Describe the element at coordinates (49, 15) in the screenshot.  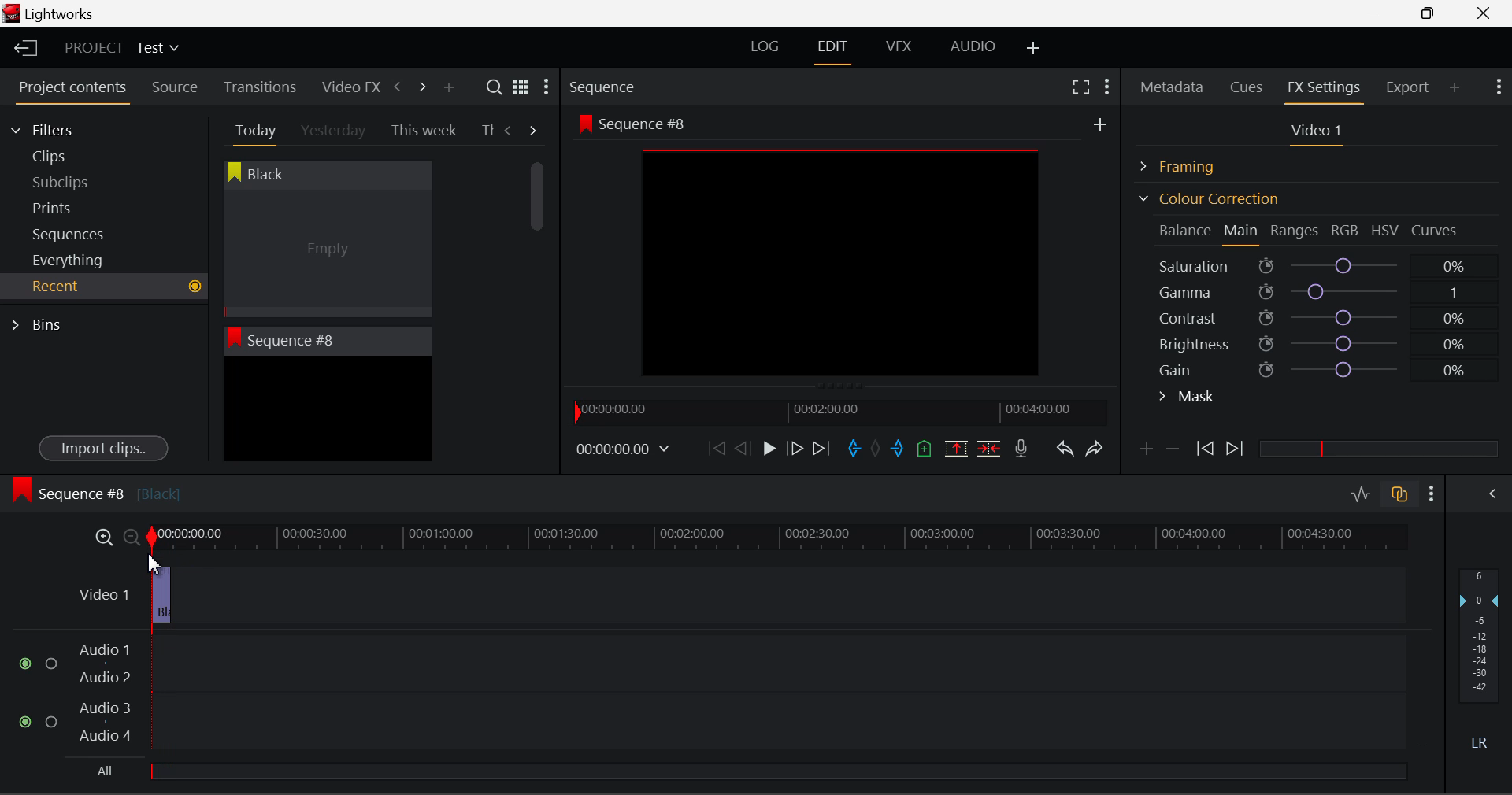
I see `Window Title` at that location.